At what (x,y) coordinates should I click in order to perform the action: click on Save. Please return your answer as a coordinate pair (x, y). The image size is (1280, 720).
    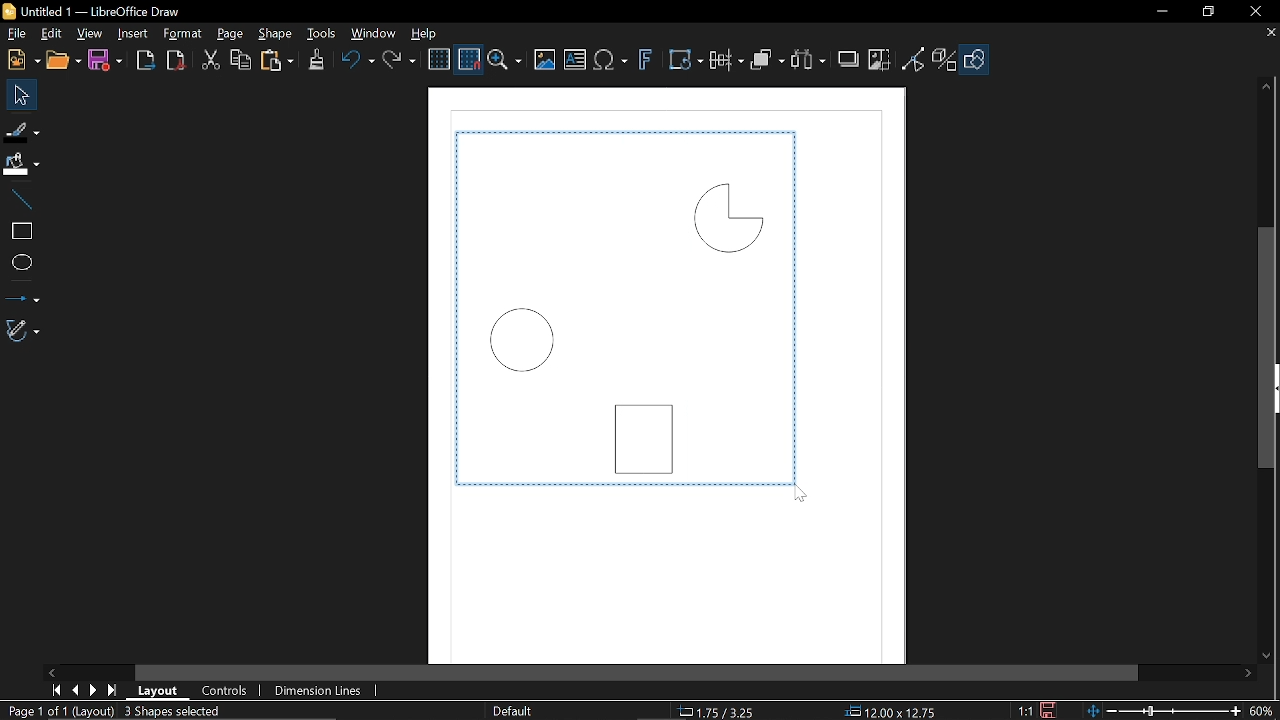
    Looking at the image, I should click on (104, 61).